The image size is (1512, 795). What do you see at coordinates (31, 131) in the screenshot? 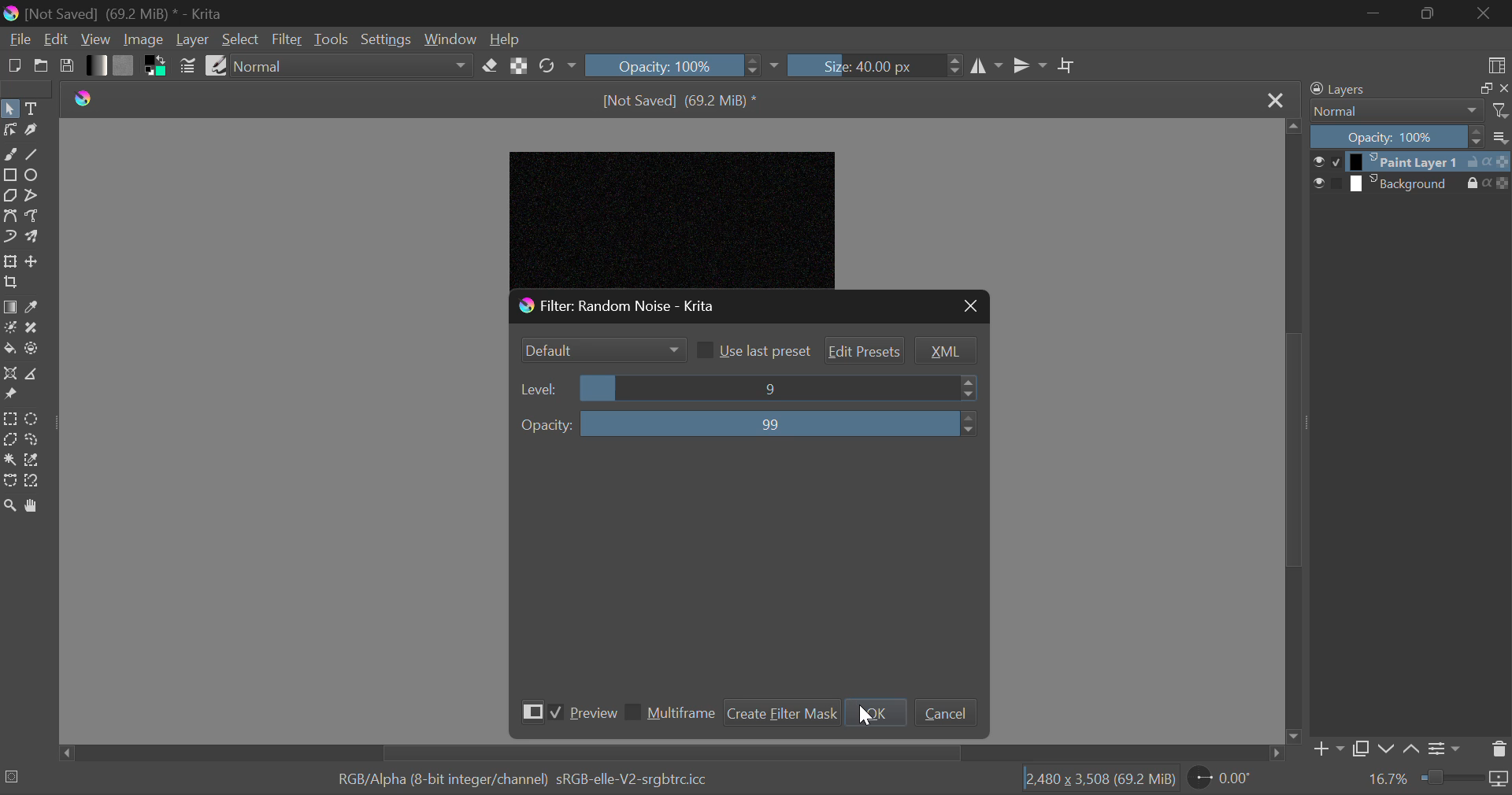
I see `Calligraphic Tool` at bounding box center [31, 131].